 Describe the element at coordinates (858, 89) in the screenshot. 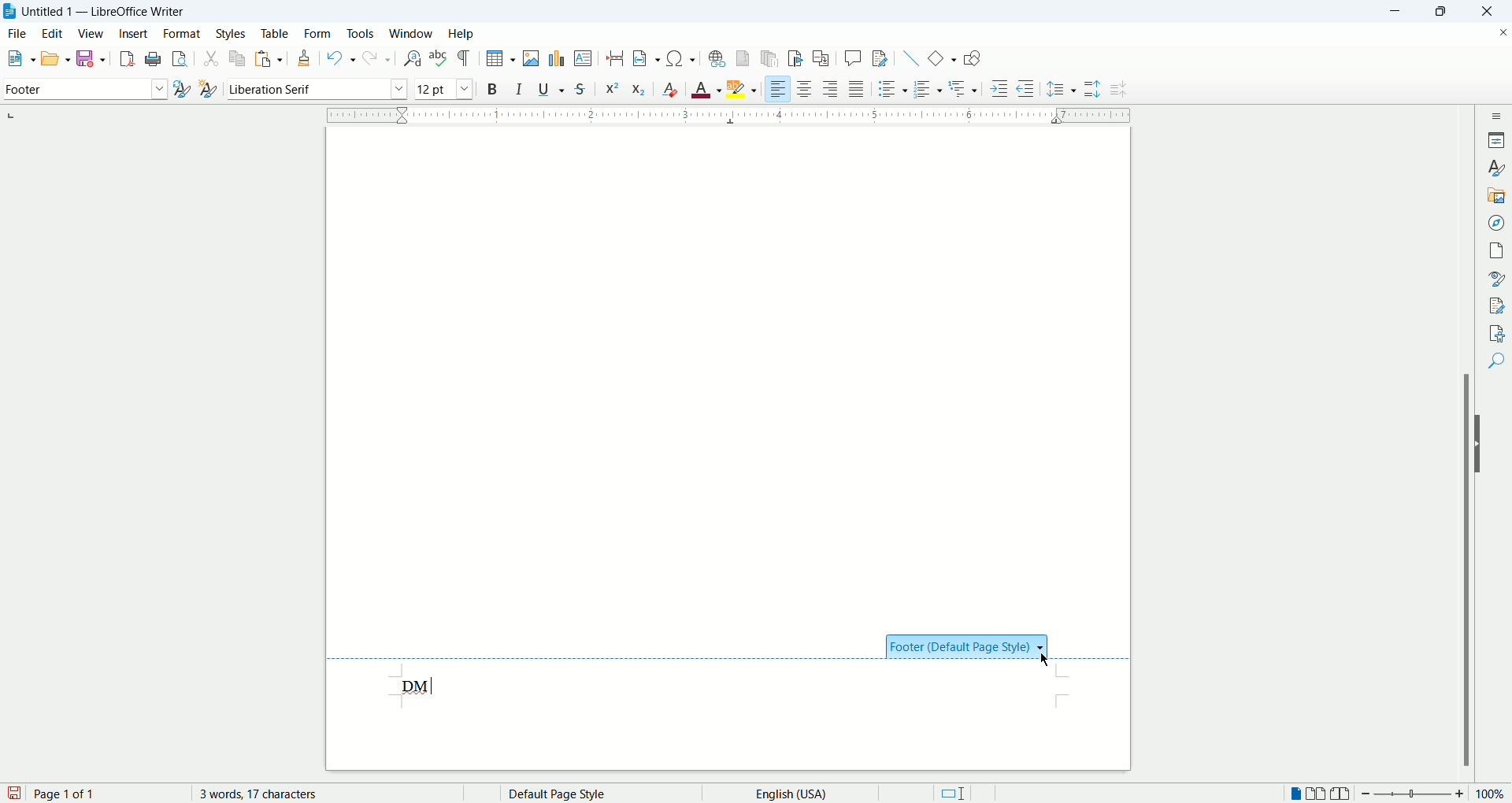

I see `justified` at that location.